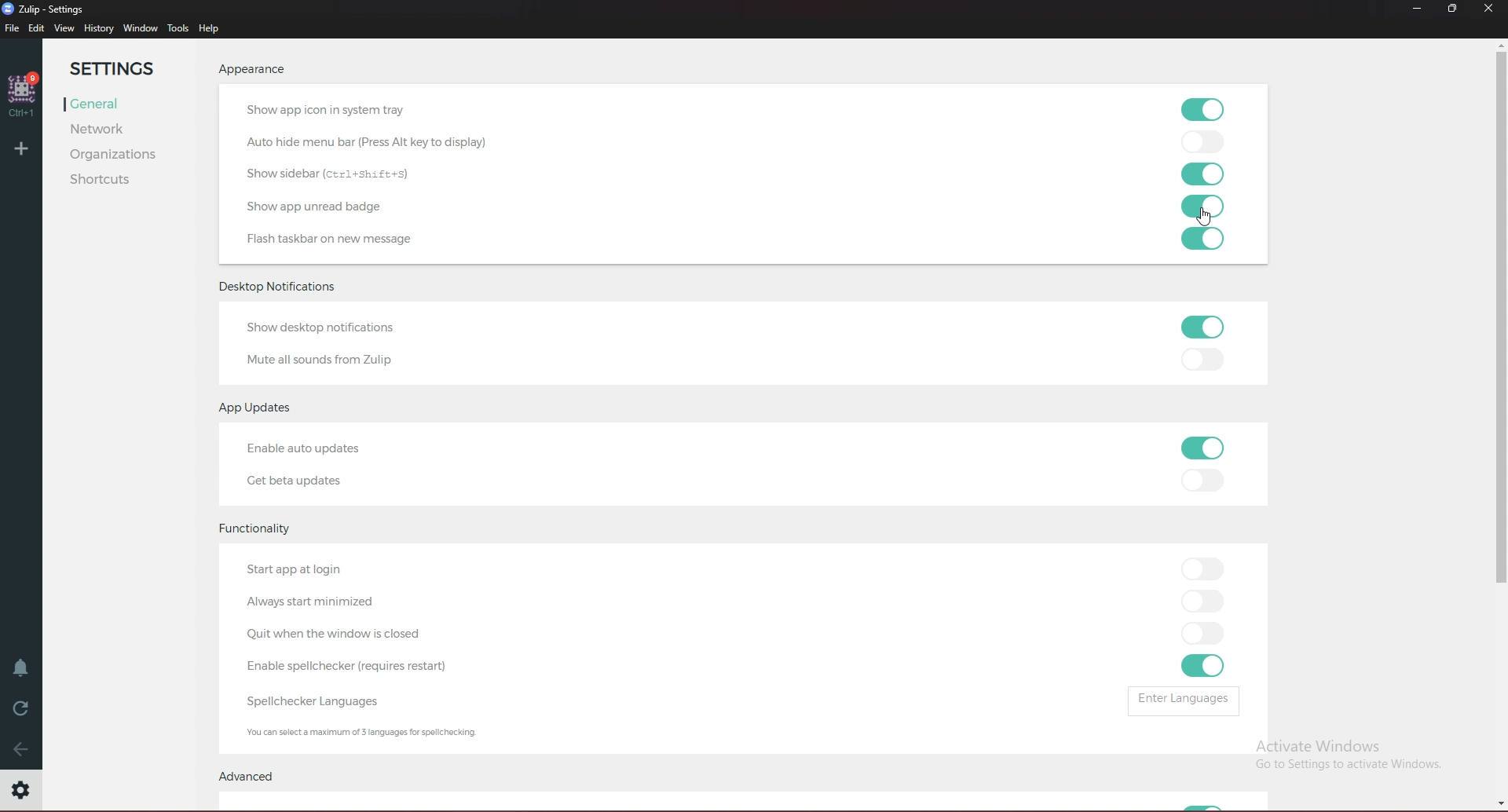 The image size is (1508, 812). Describe the element at coordinates (1188, 701) in the screenshot. I see `Enter languages` at that location.